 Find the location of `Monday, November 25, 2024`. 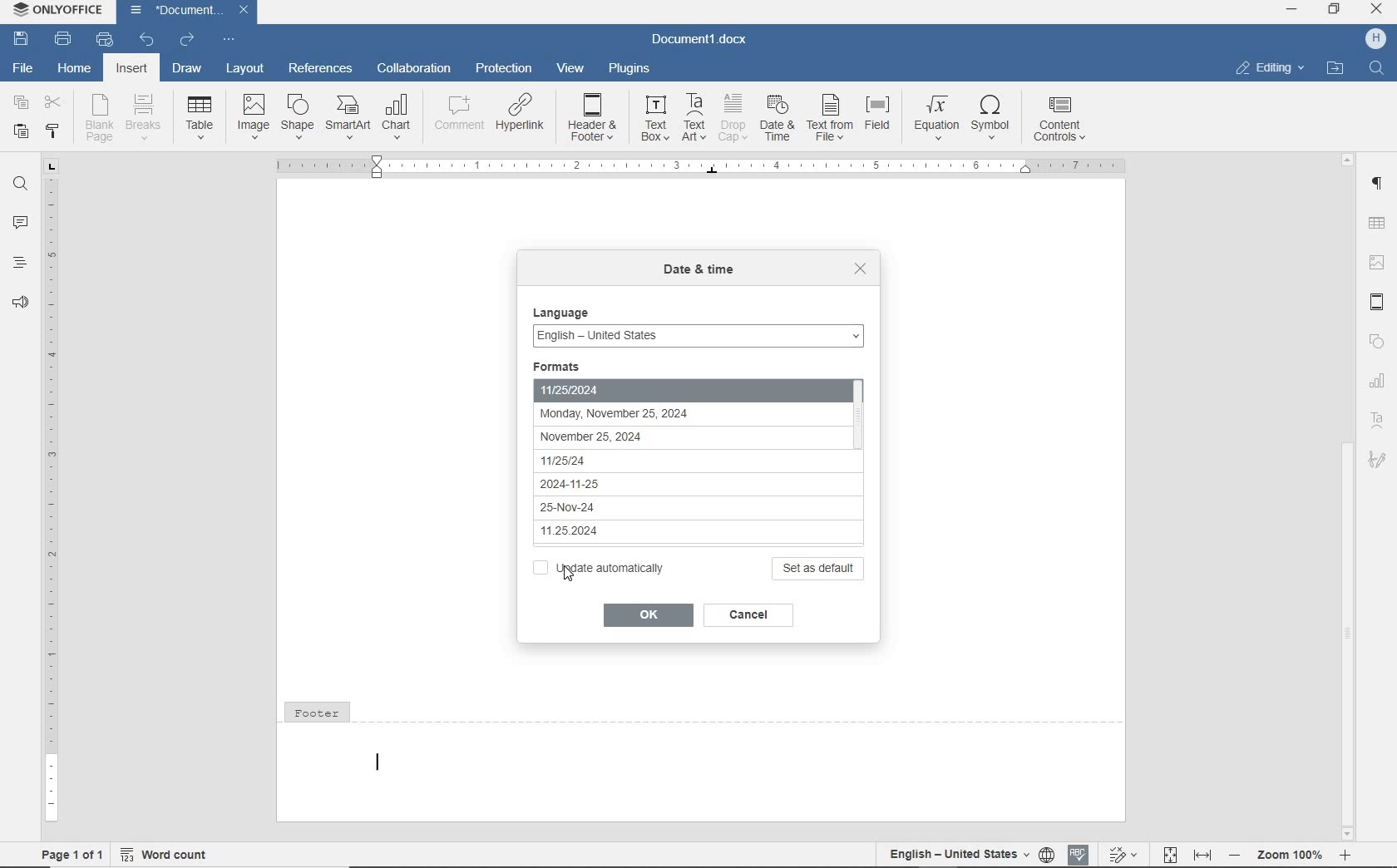

Monday, November 25, 2024 is located at coordinates (645, 414).